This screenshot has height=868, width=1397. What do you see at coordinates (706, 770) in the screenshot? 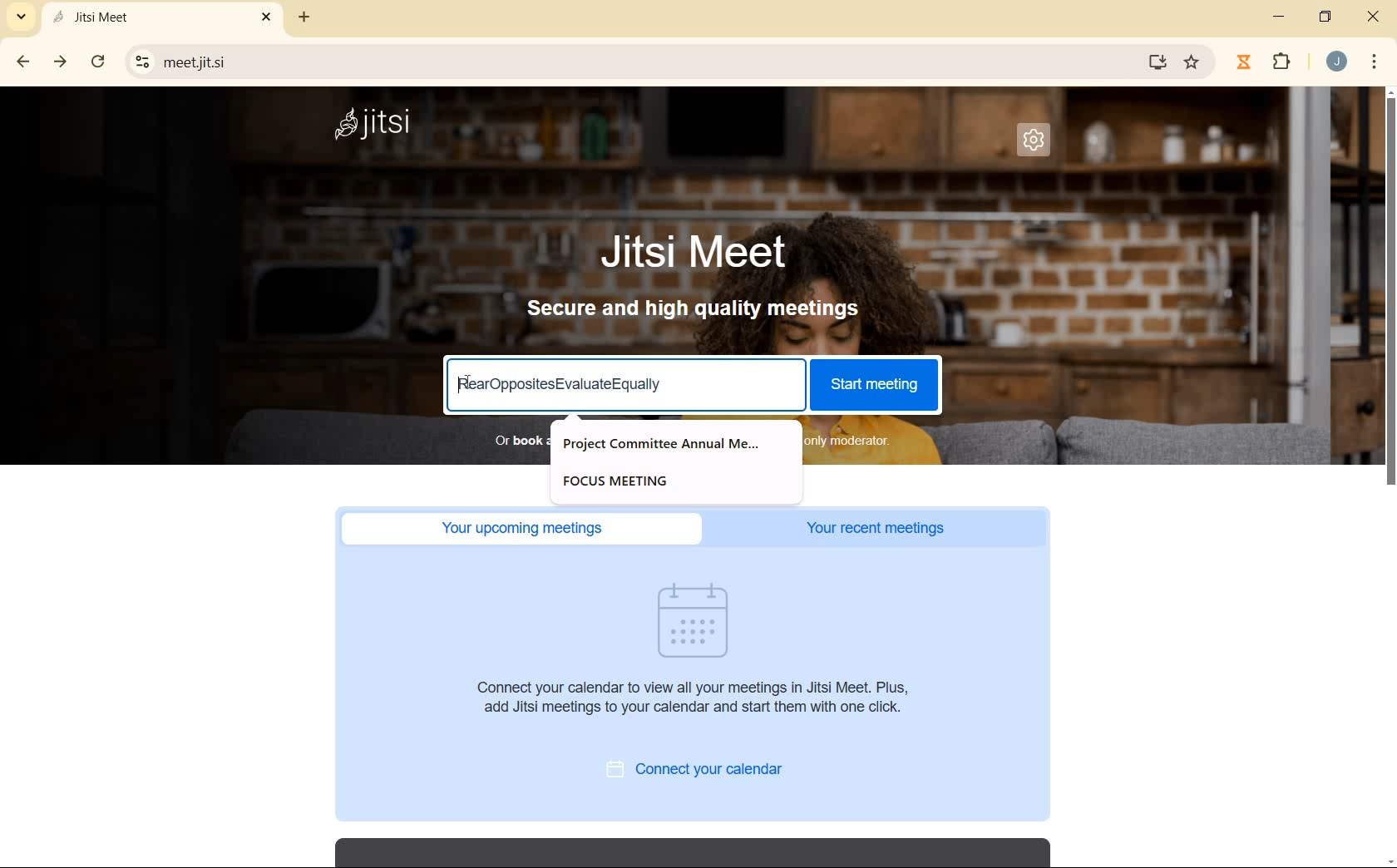
I see `connect your calendar` at bounding box center [706, 770].